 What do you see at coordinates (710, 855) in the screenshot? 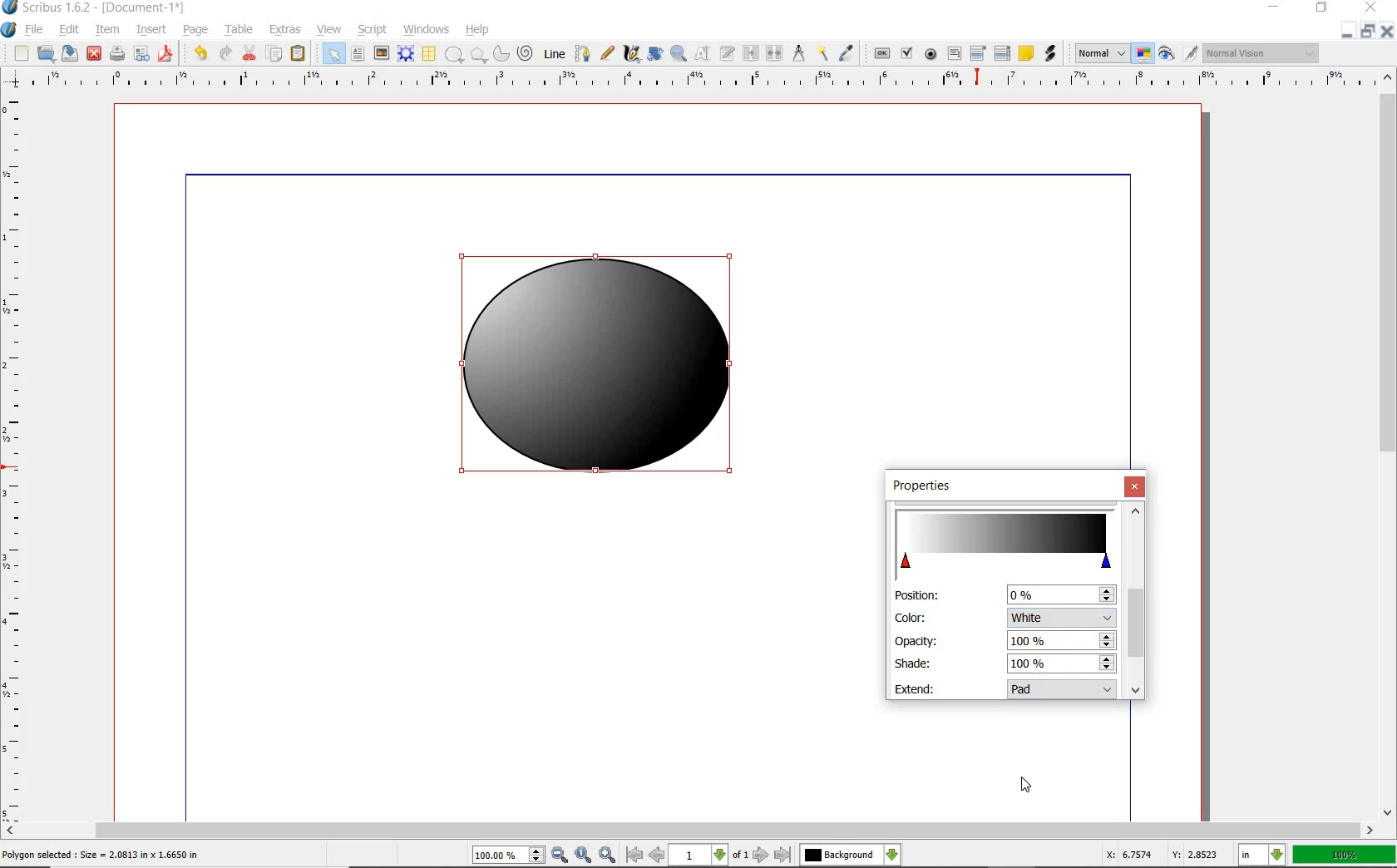
I see `1 of 1` at bounding box center [710, 855].